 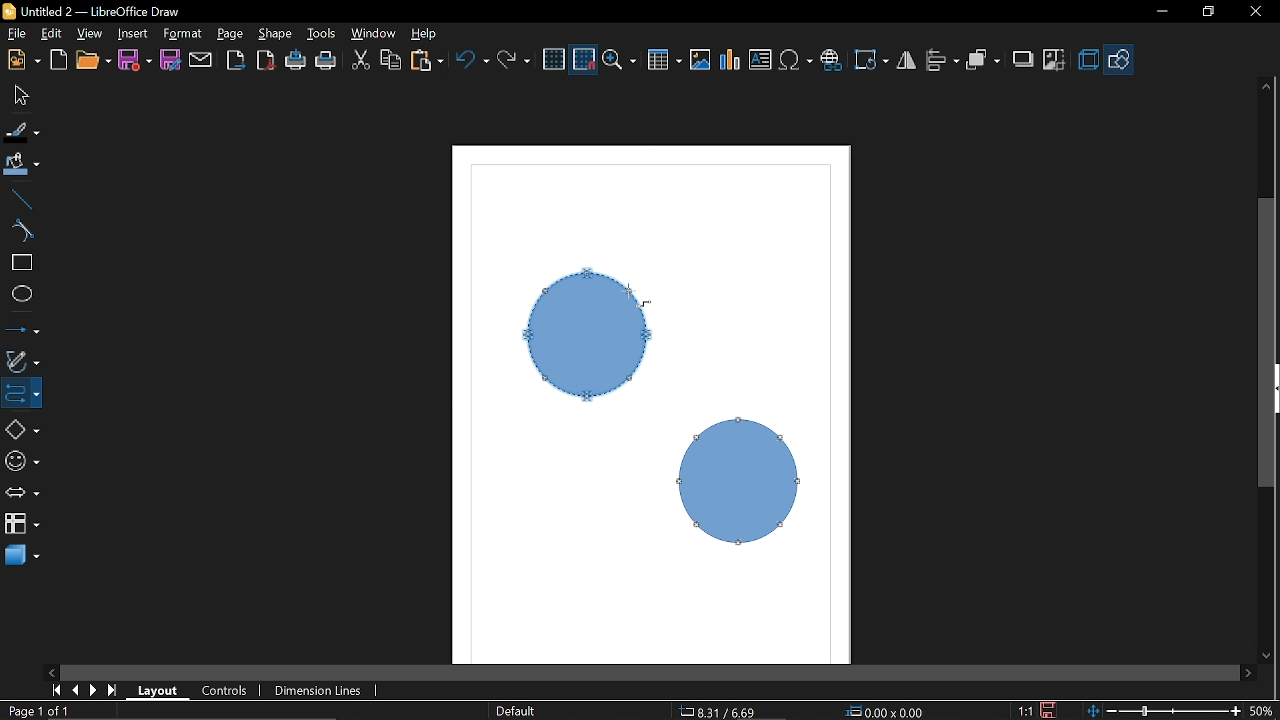 I want to click on Curves and polygons, so click(x=22, y=362).